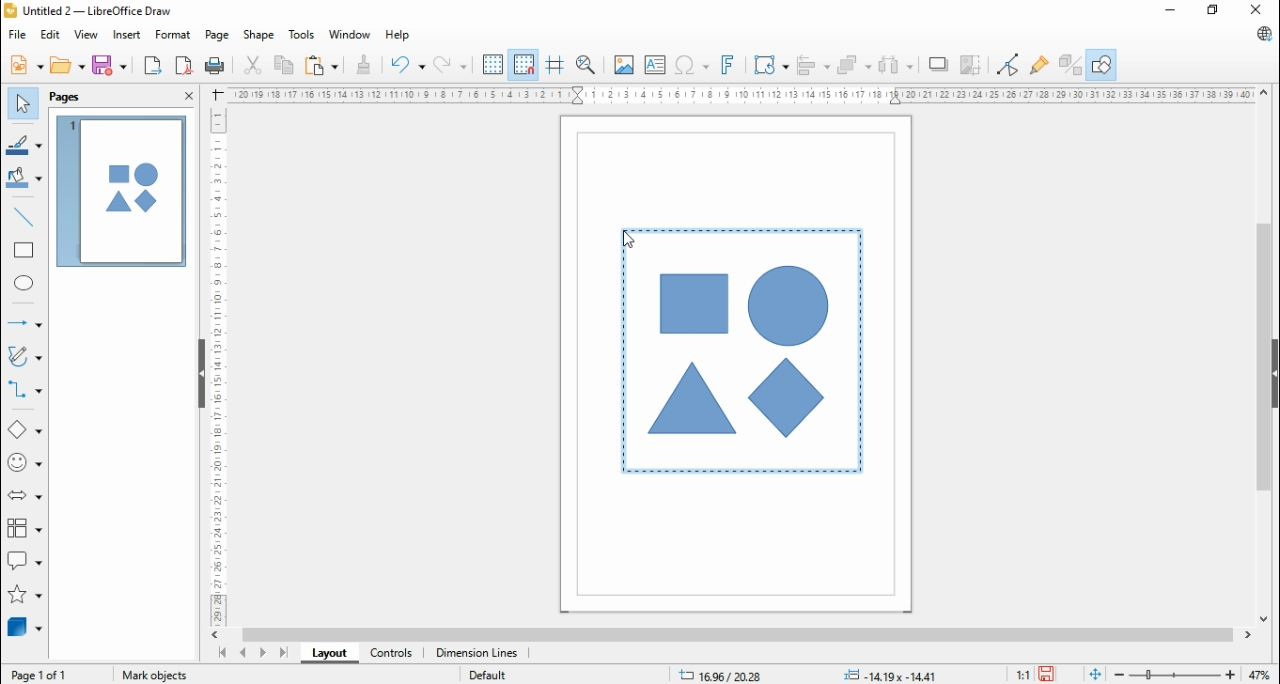  What do you see at coordinates (52, 35) in the screenshot?
I see `edit` at bounding box center [52, 35].